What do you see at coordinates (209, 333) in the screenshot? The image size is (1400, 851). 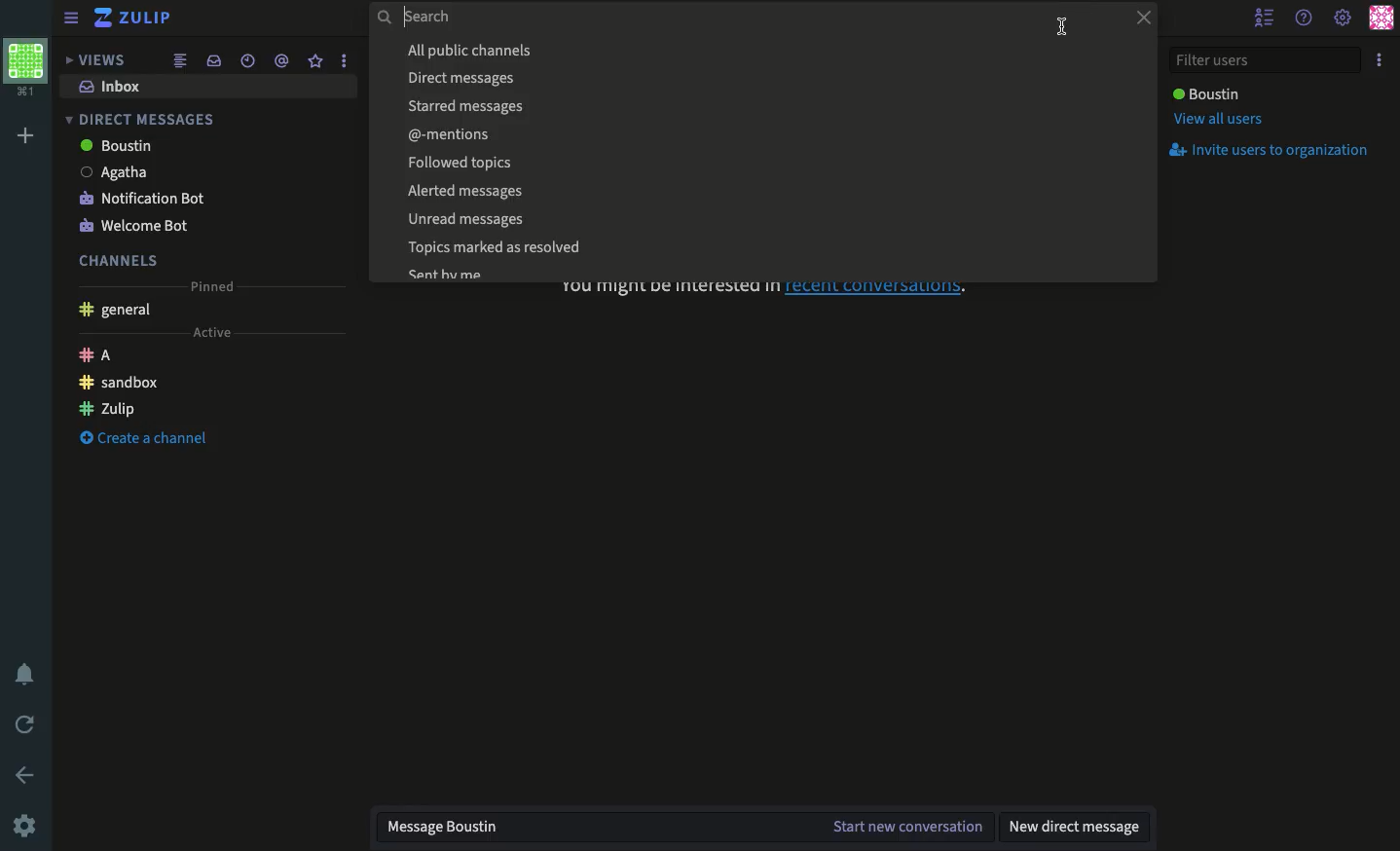 I see `Active` at bounding box center [209, 333].